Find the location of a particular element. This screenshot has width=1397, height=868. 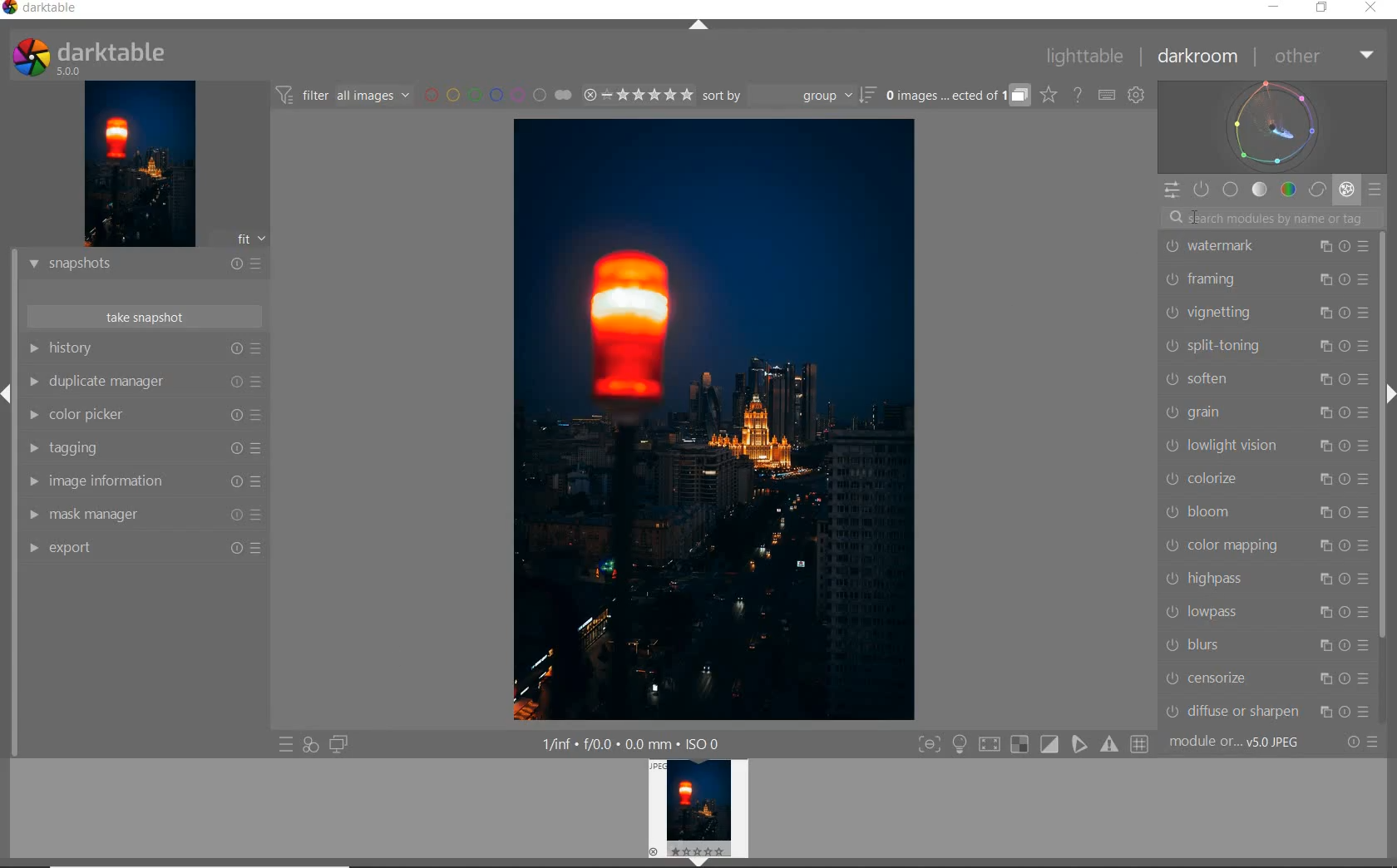

BASE is located at coordinates (1232, 190).